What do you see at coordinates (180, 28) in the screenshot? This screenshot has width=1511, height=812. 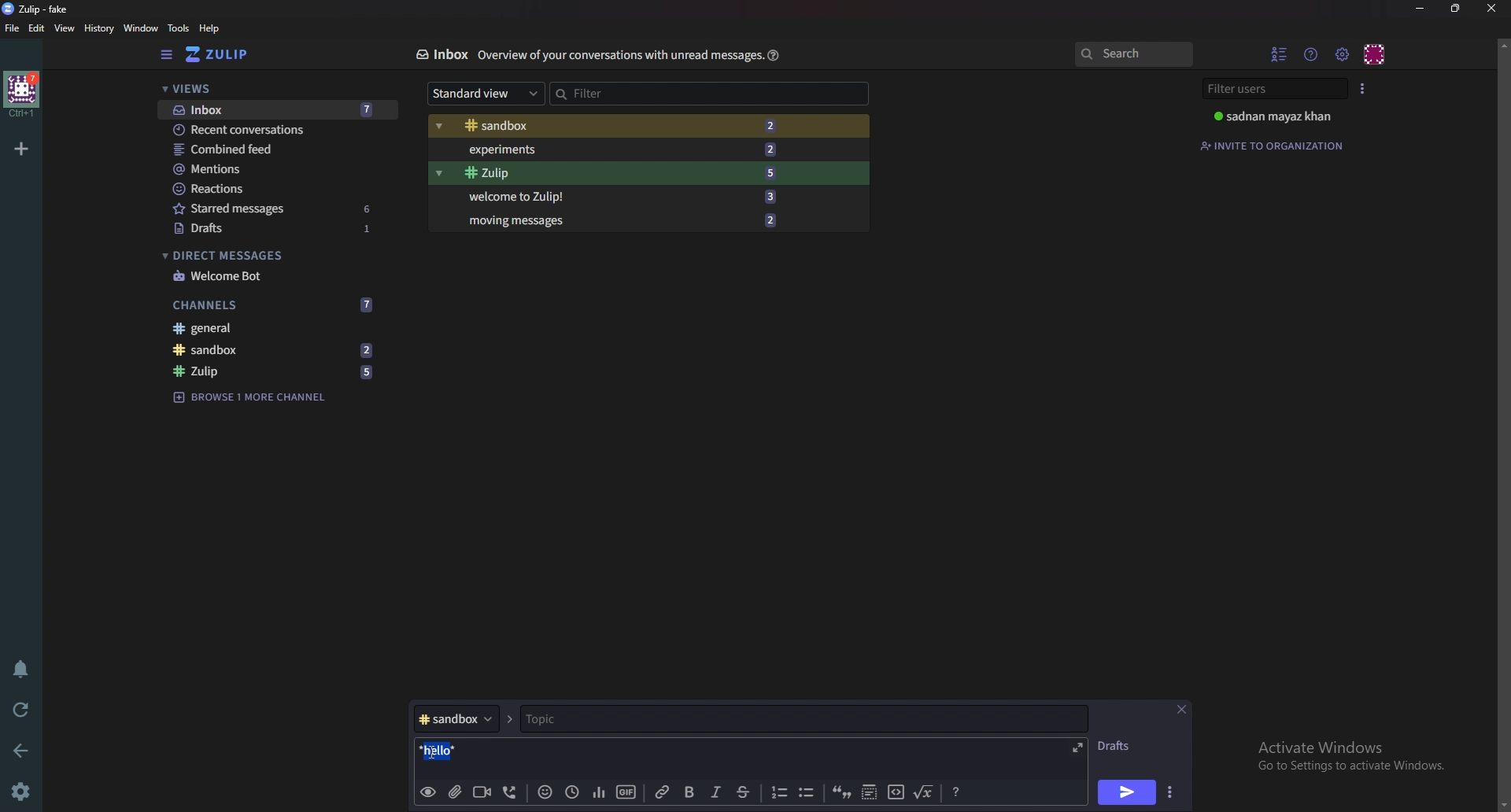 I see `Tools` at bounding box center [180, 28].